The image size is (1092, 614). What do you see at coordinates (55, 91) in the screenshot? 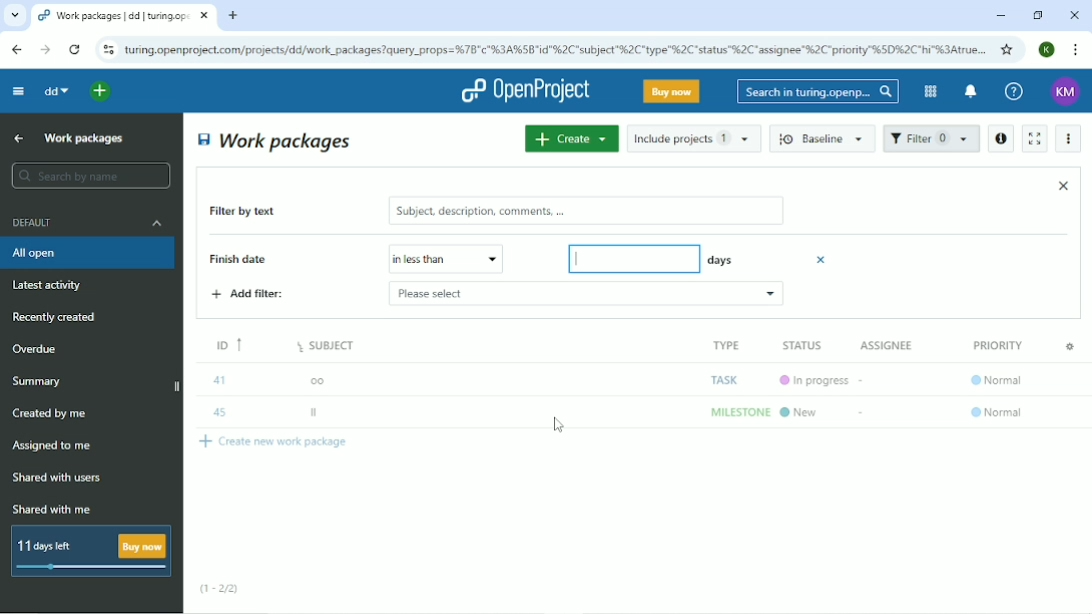
I see `dd` at bounding box center [55, 91].